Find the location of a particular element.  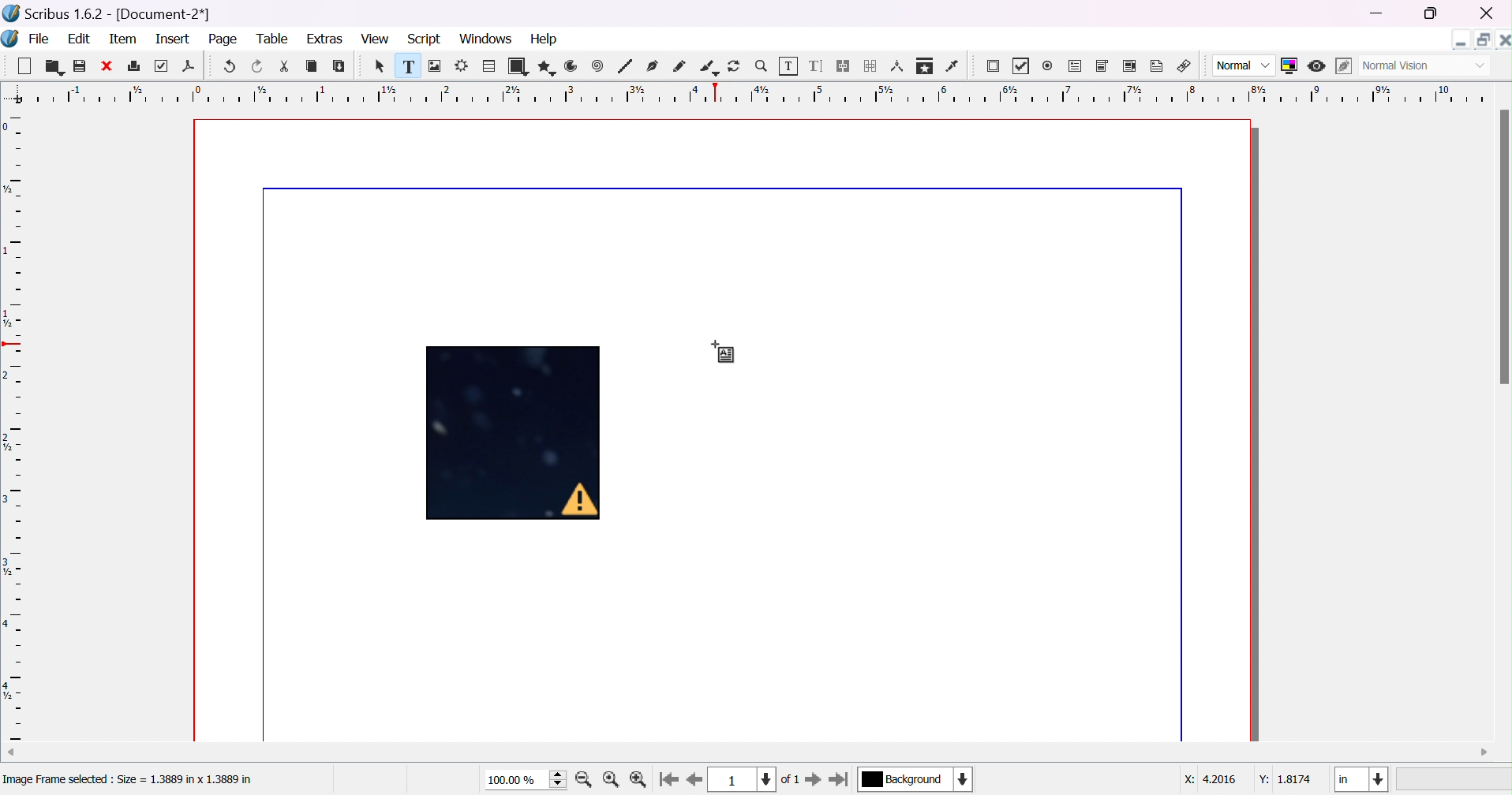

Ruler is located at coordinates (759, 93).